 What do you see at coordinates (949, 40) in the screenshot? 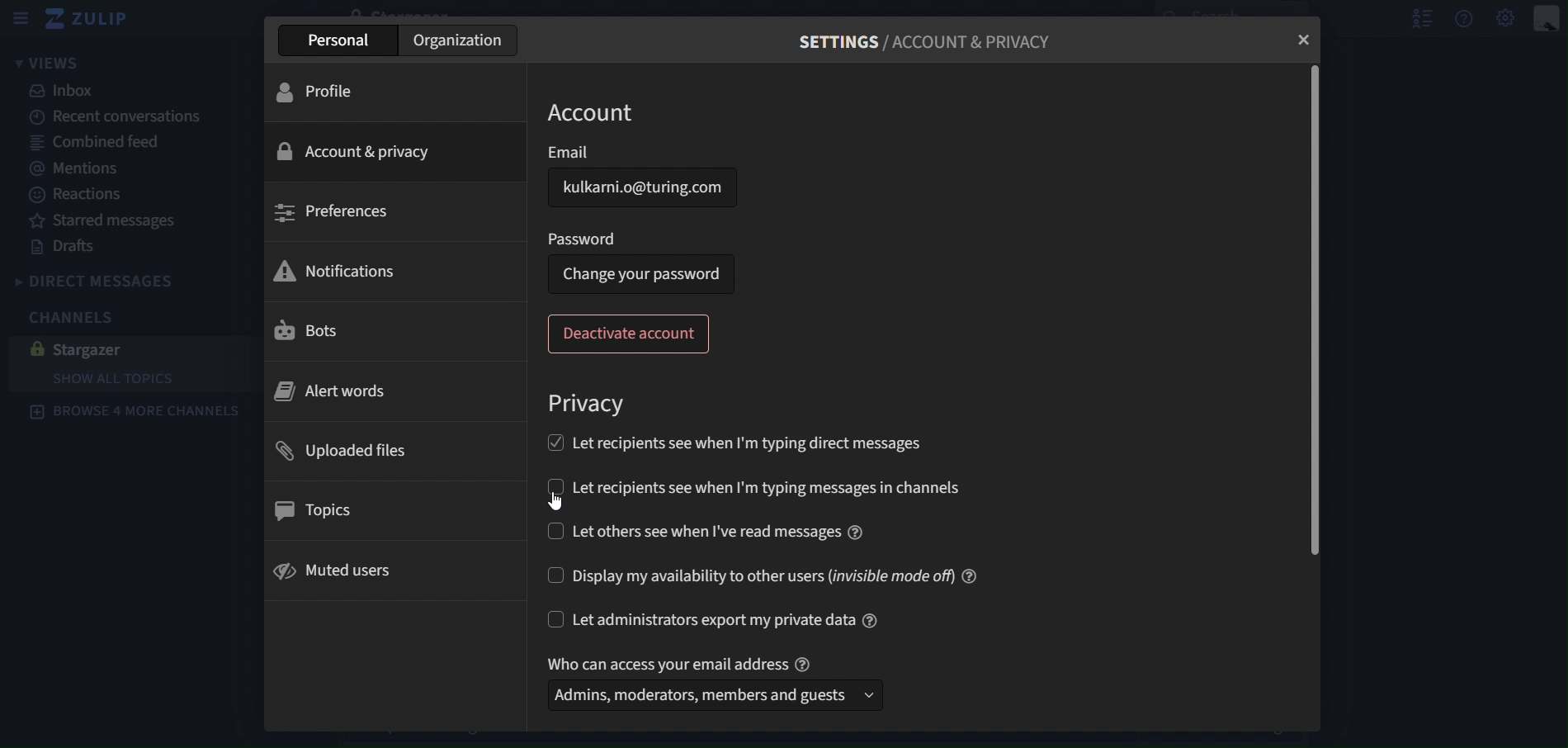
I see `settings/account and privacy` at bounding box center [949, 40].